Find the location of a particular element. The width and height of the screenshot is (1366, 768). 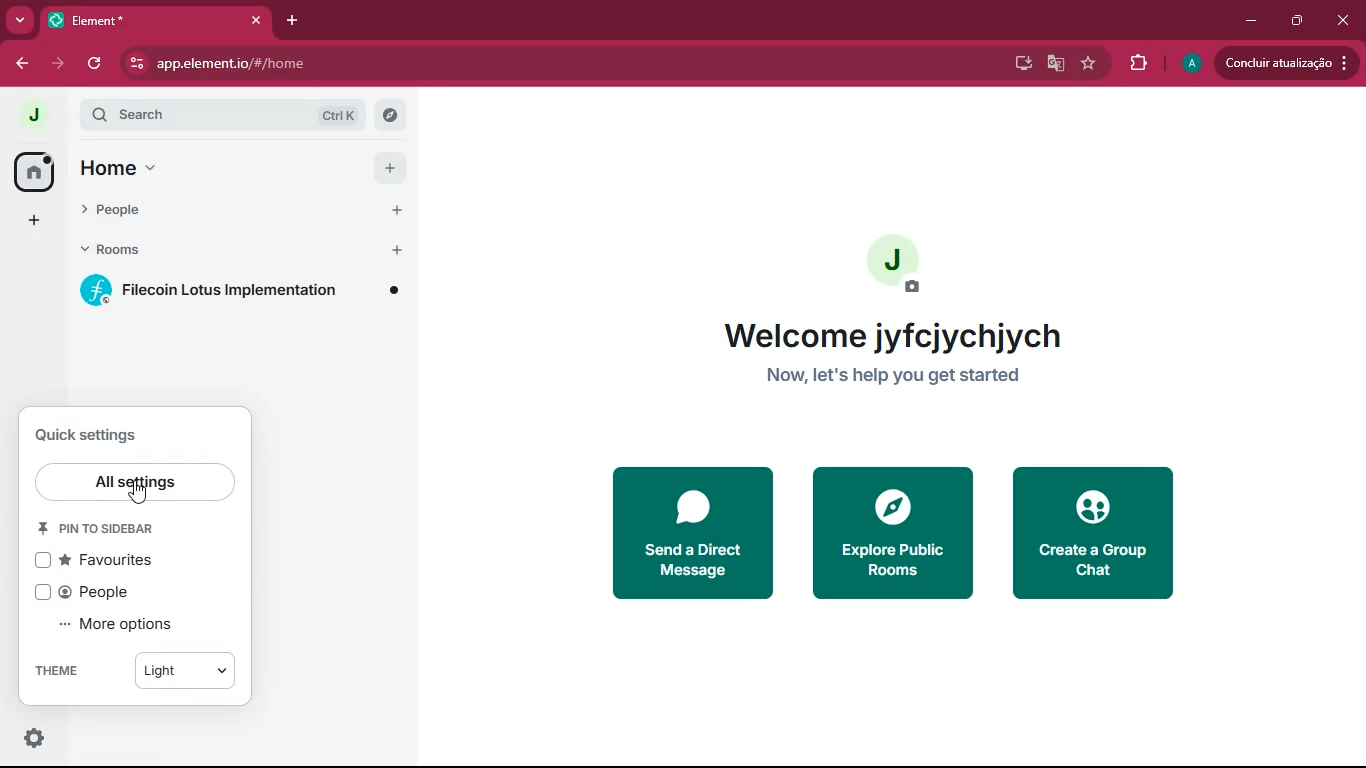

add tab is located at coordinates (293, 21).